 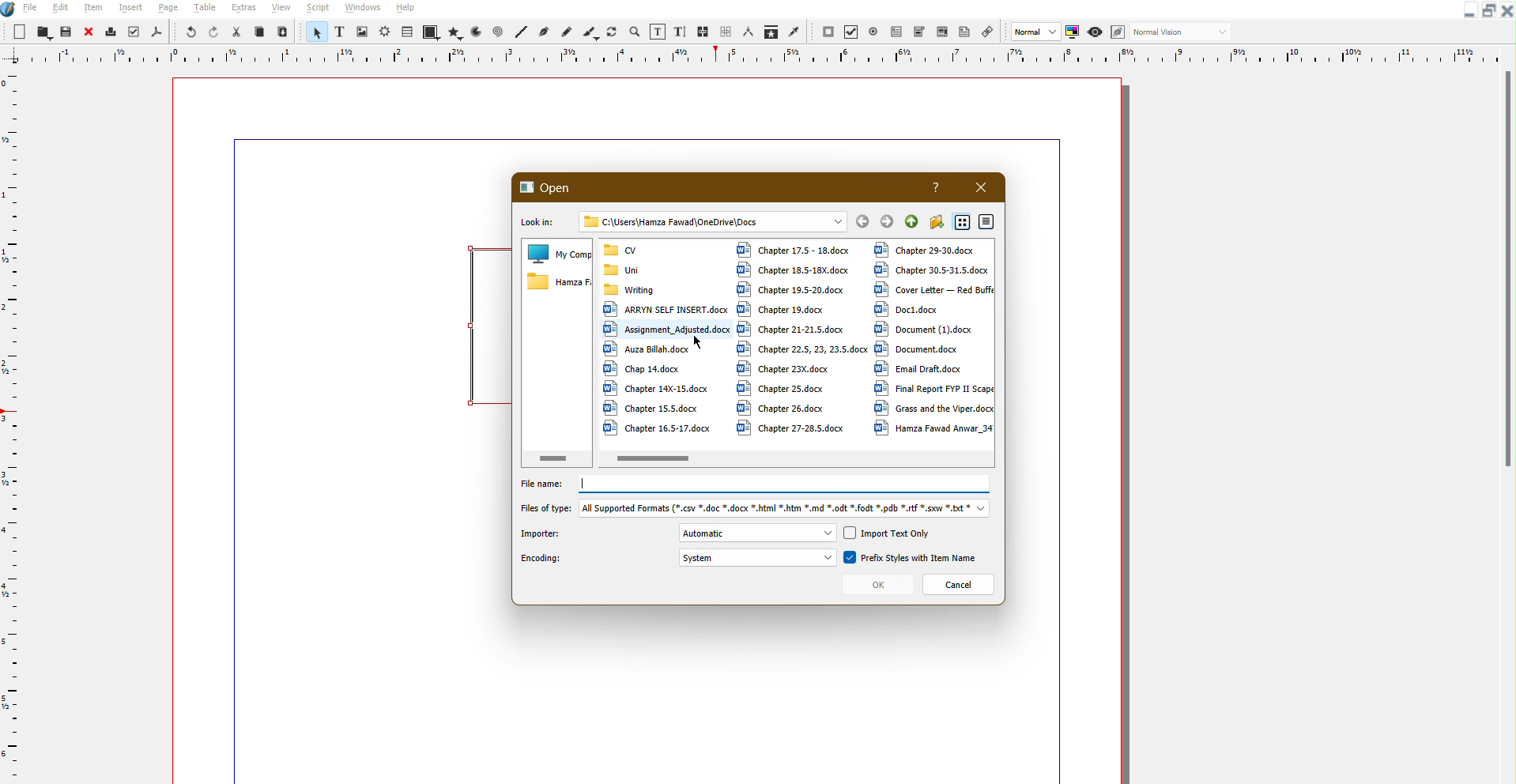 I want to click on Help, so click(x=938, y=188).